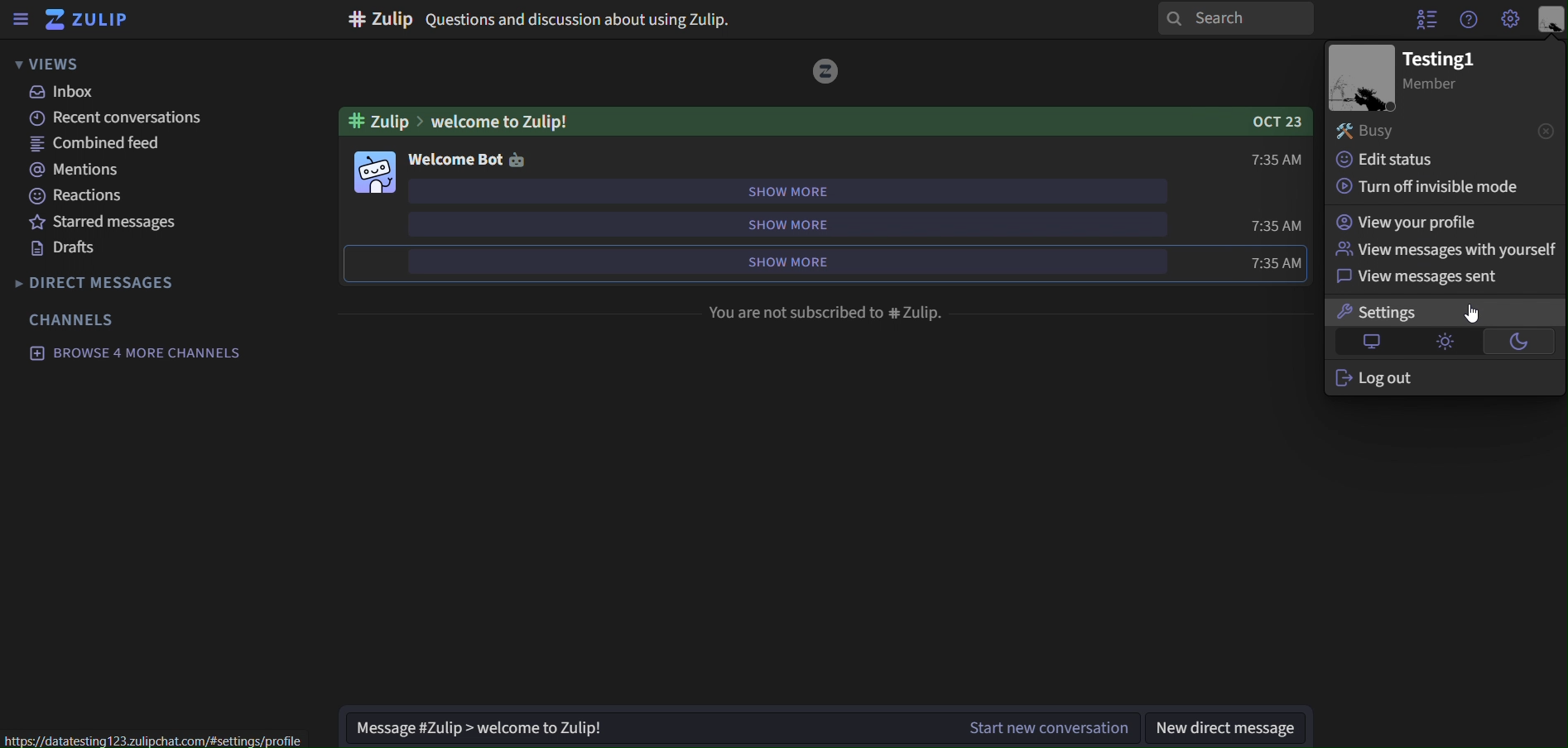  What do you see at coordinates (539, 19) in the screenshot?
I see `#zulip Questions and discussion about using zulip` at bounding box center [539, 19].